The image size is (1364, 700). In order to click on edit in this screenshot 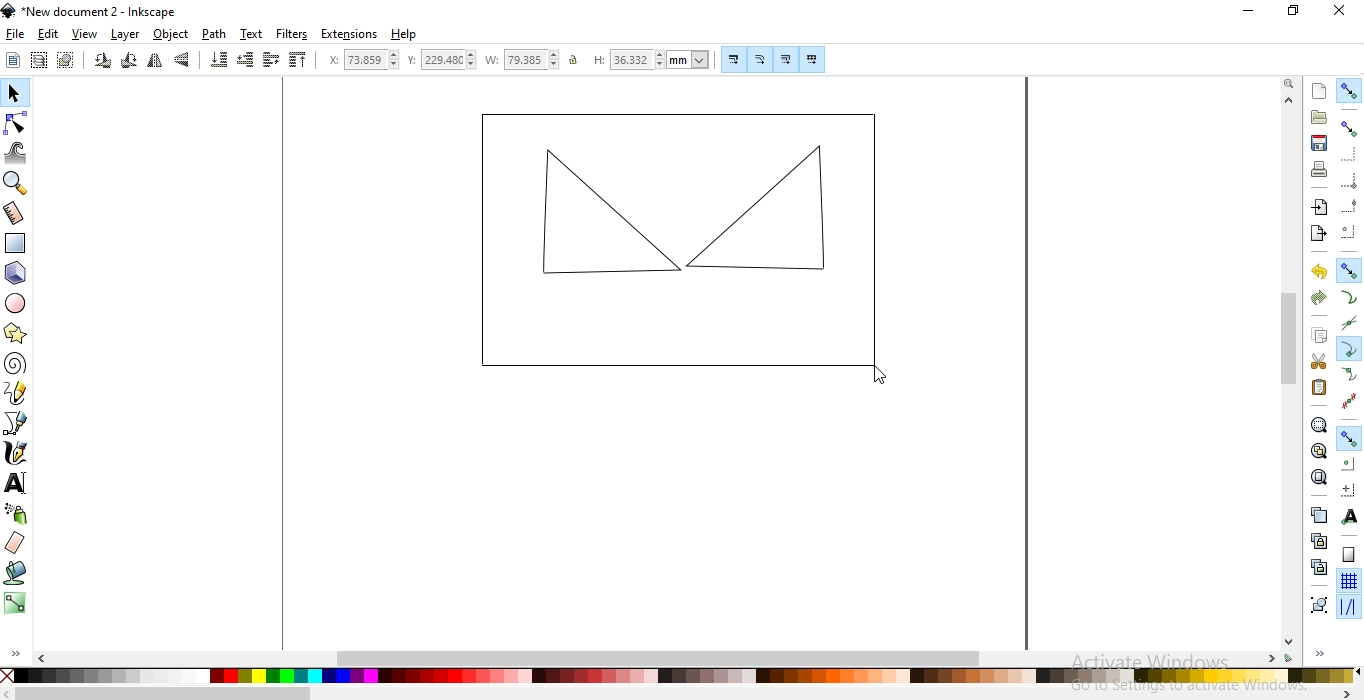, I will do `click(49, 34)`.